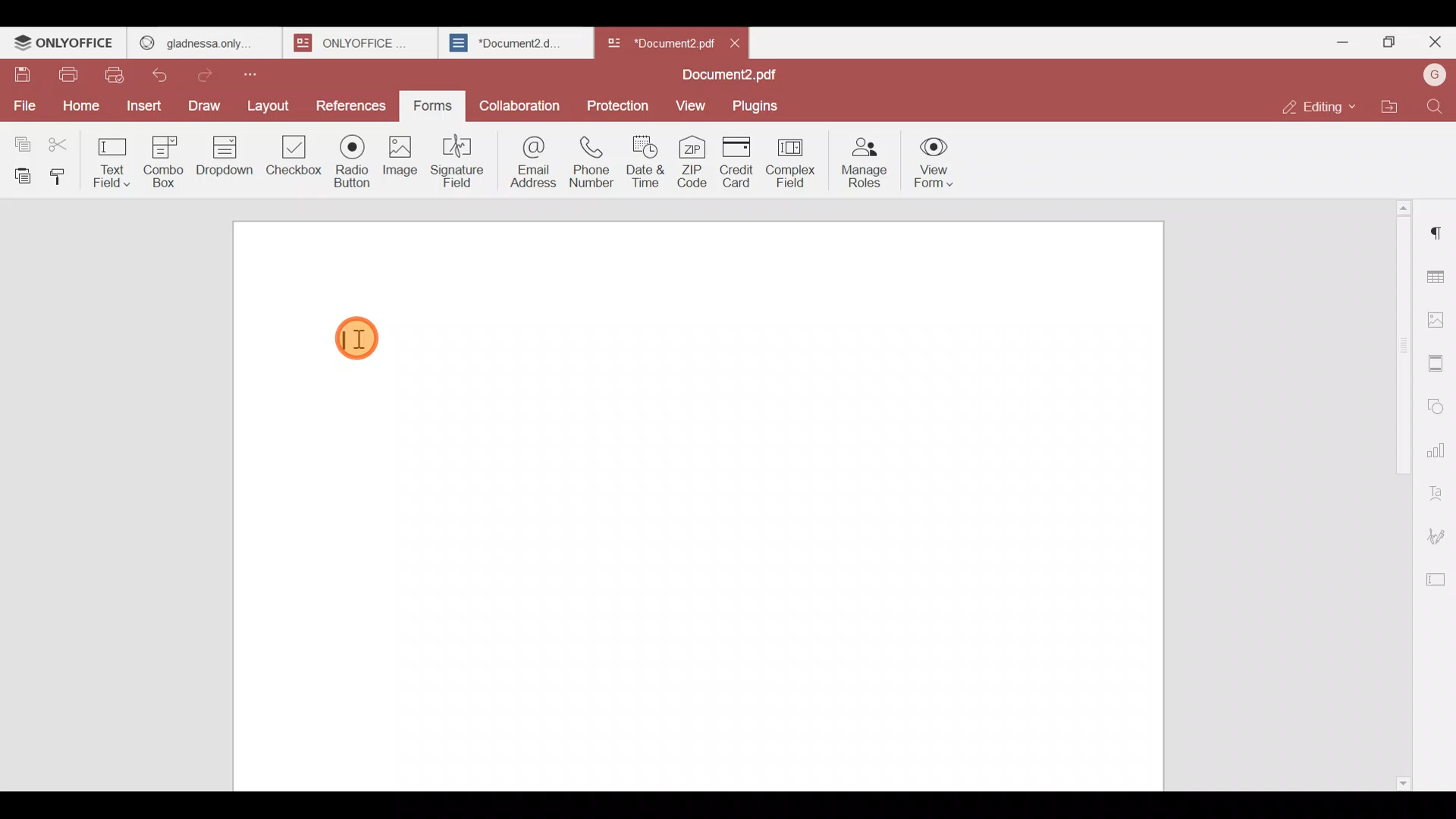  I want to click on Working area, so click(691, 493).